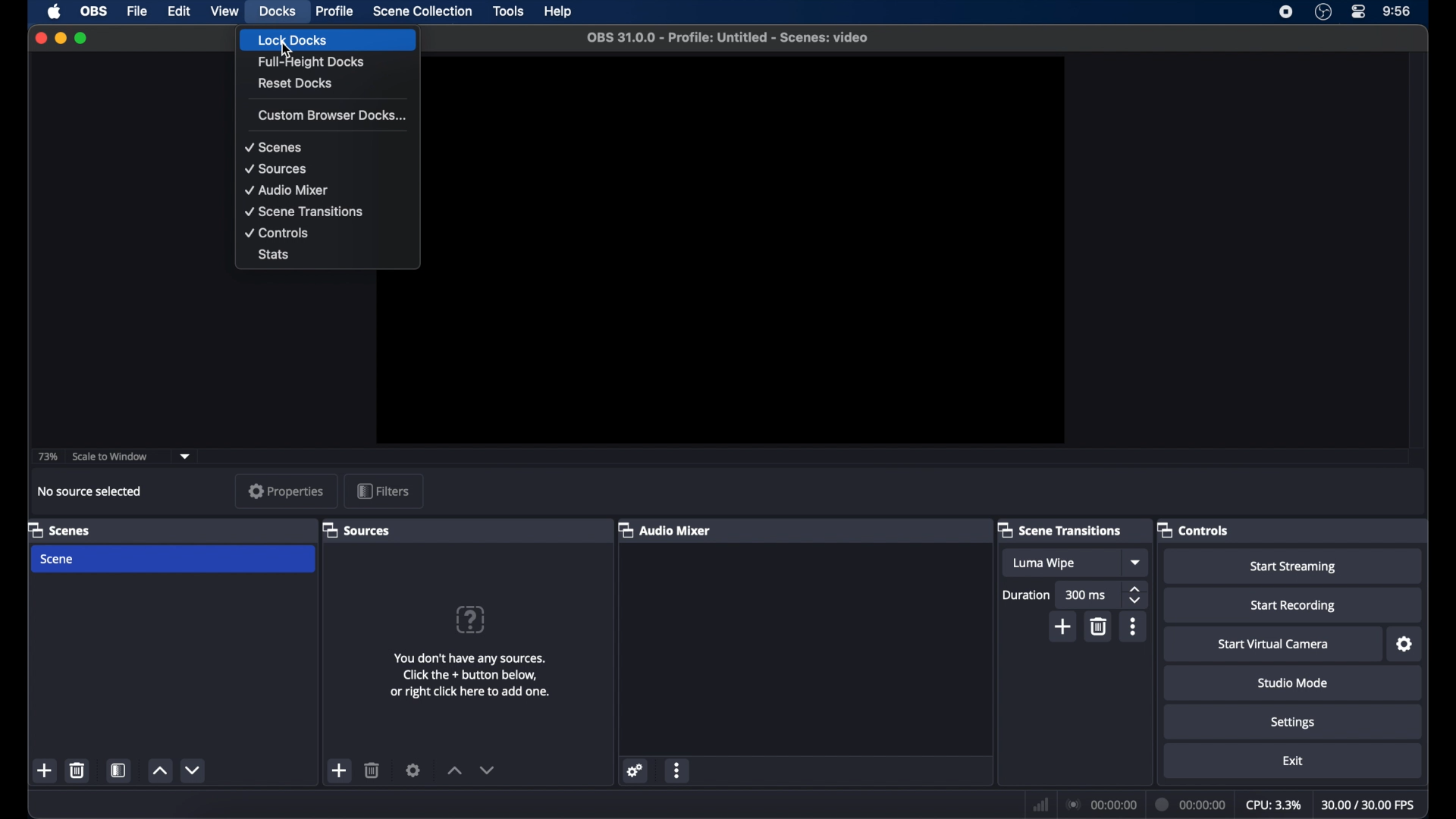 The height and width of the screenshot is (819, 1456). Describe the element at coordinates (559, 11) in the screenshot. I see `help` at that location.